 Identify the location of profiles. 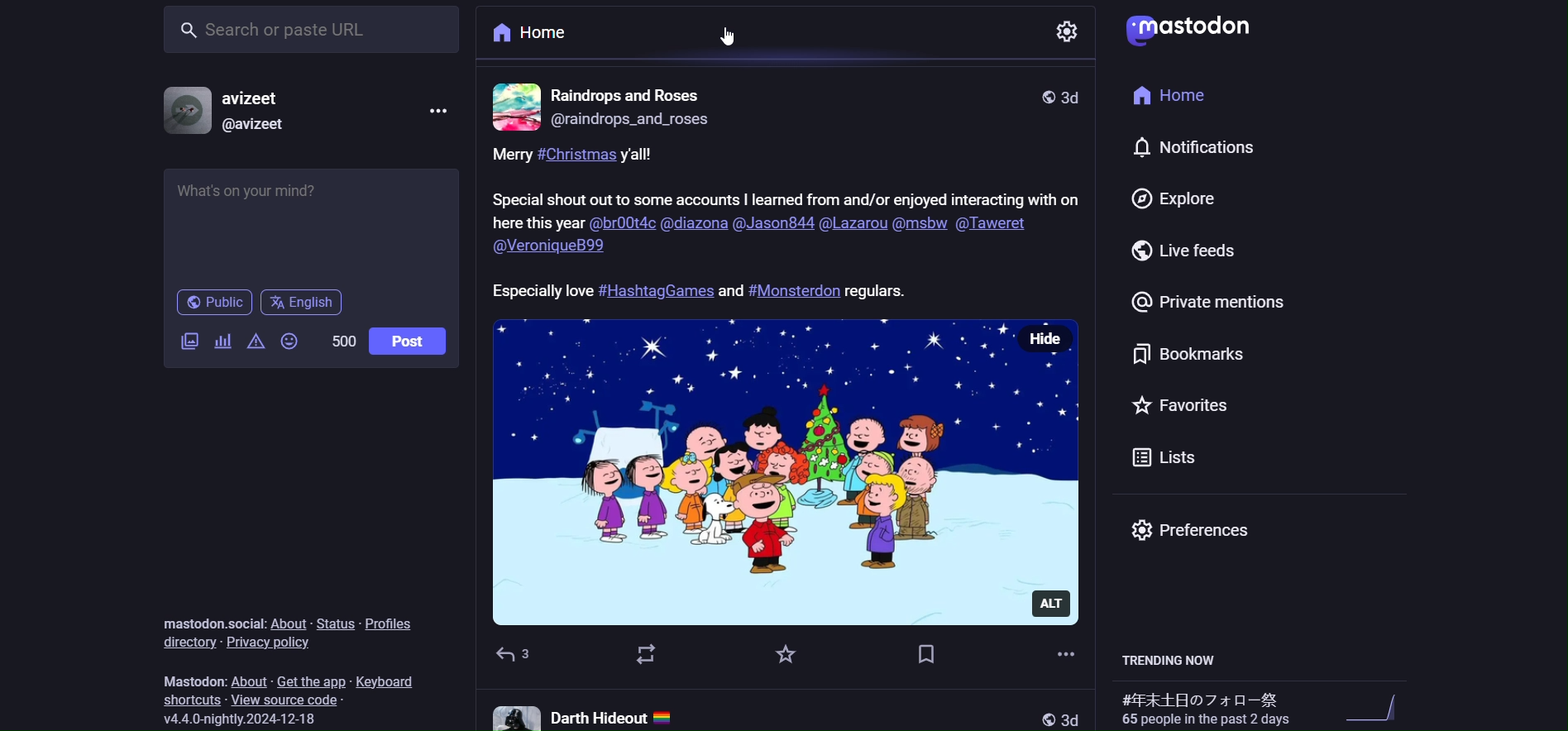
(391, 623).